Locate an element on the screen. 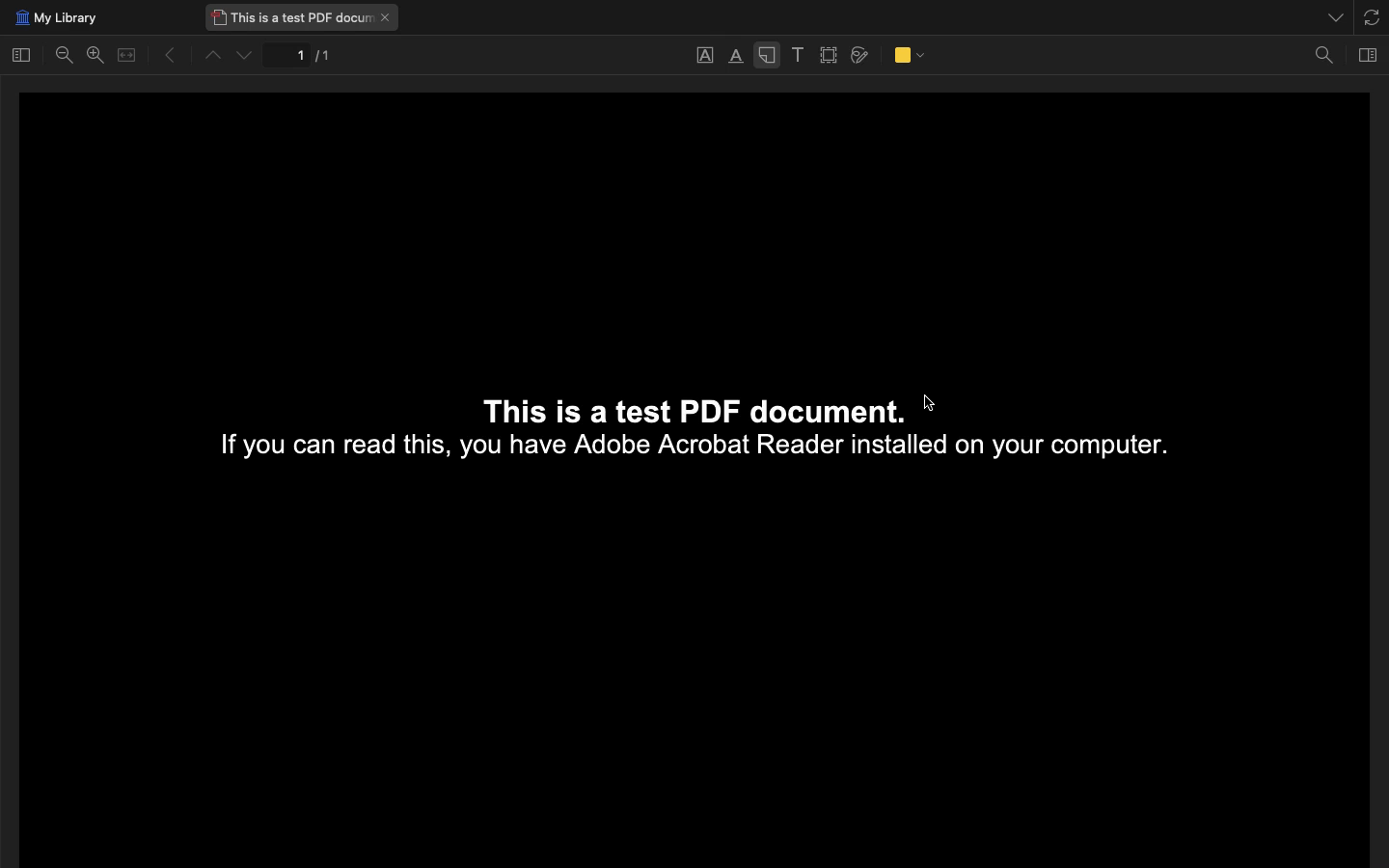  Underline text is located at coordinates (705, 54).